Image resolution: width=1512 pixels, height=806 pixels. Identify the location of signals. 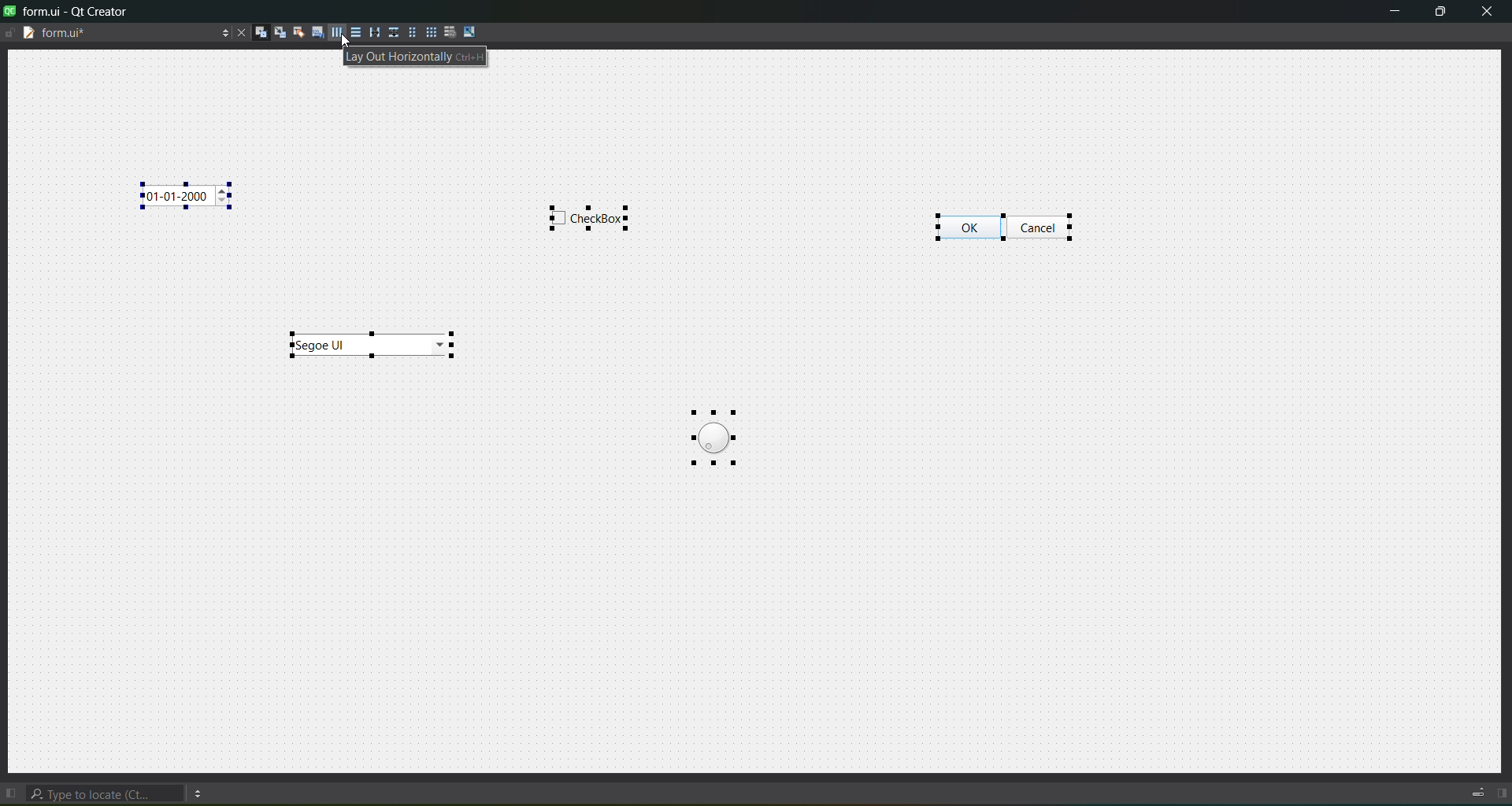
(276, 32).